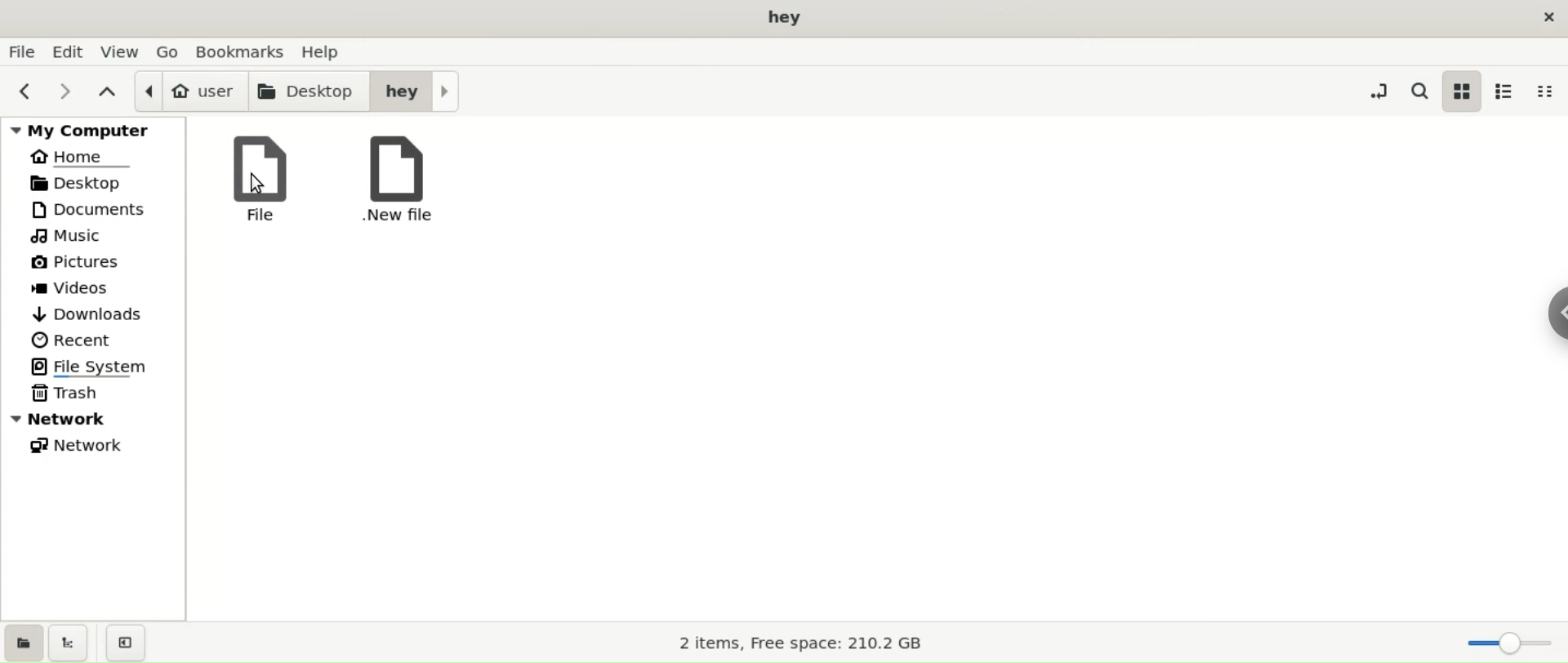 This screenshot has width=1568, height=663. What do you see at coordinates (109, 93) in the screenshot?
I see `parent folders` at bounding box center [109, 93].